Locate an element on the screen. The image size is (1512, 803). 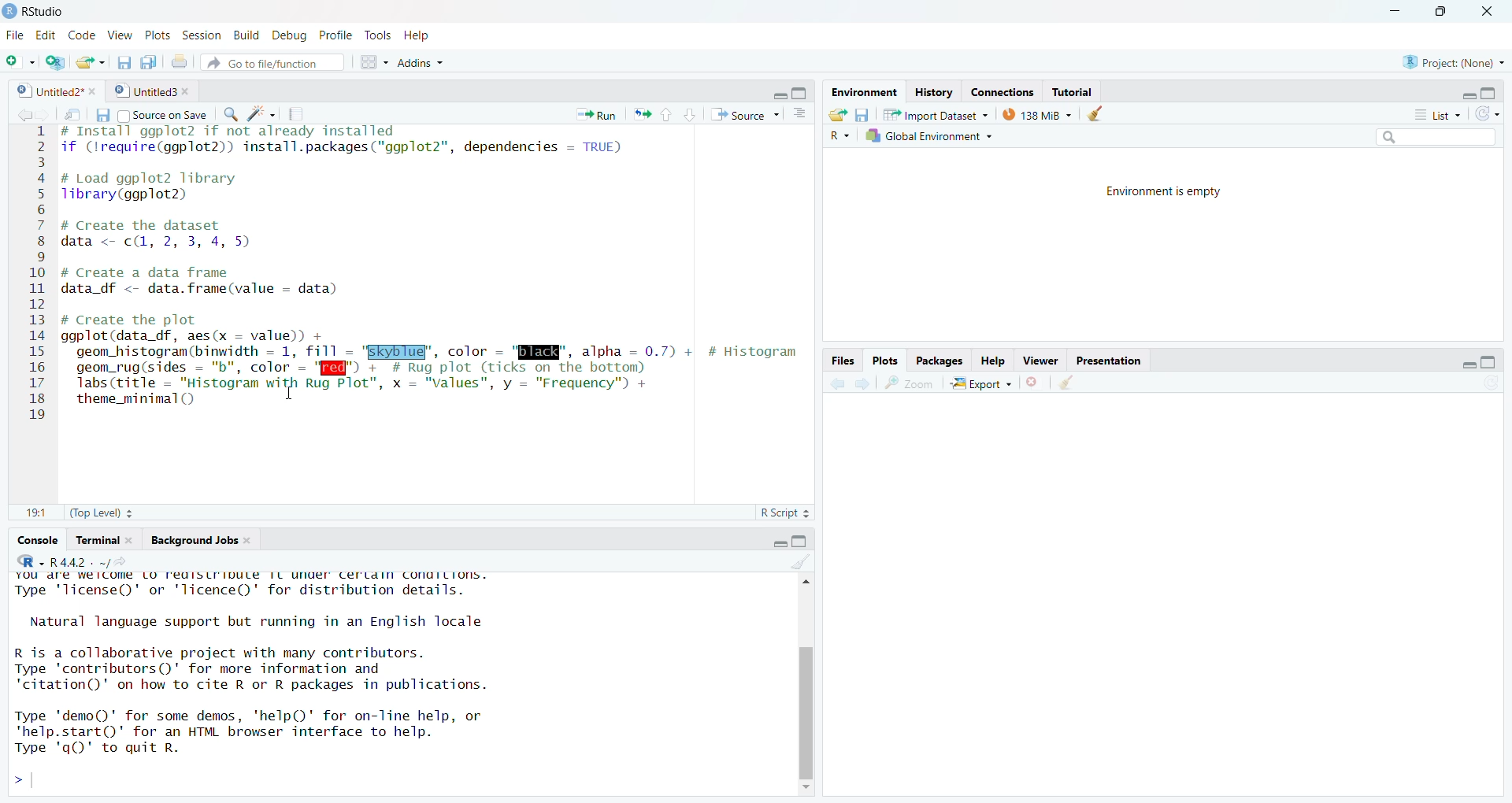
Profile is located at coordinates (336, 32).